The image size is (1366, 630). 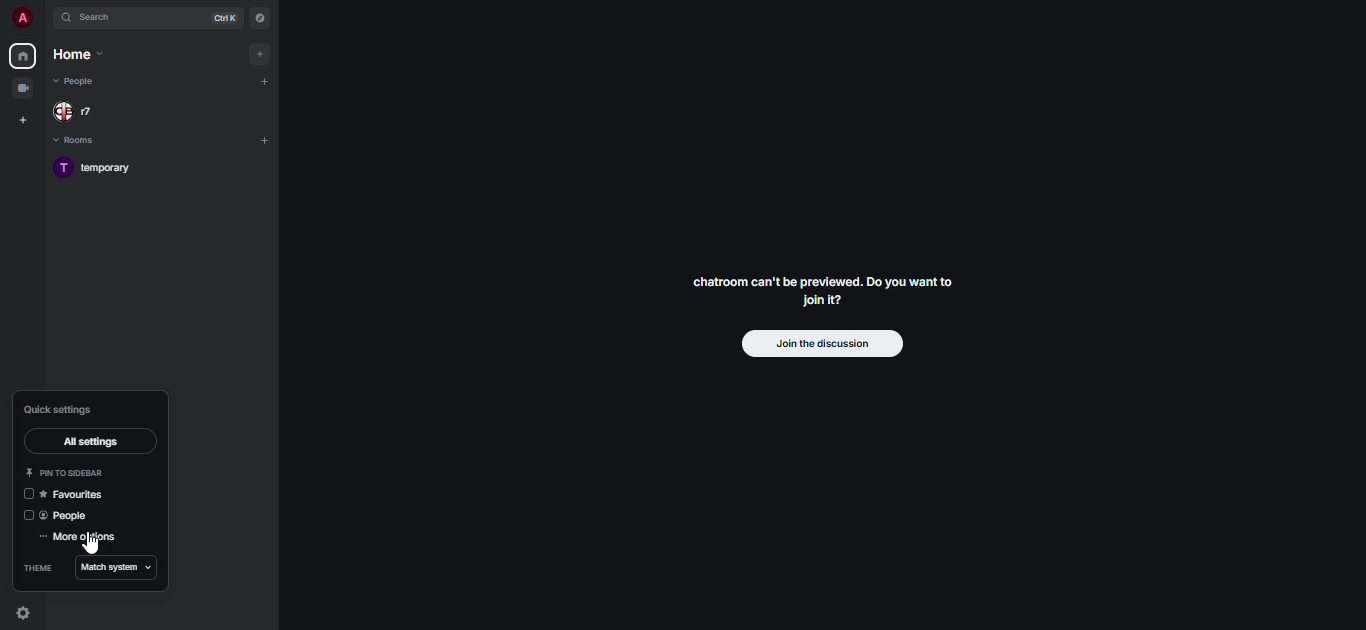 I want to click on theme, so click(x=35, y=570).